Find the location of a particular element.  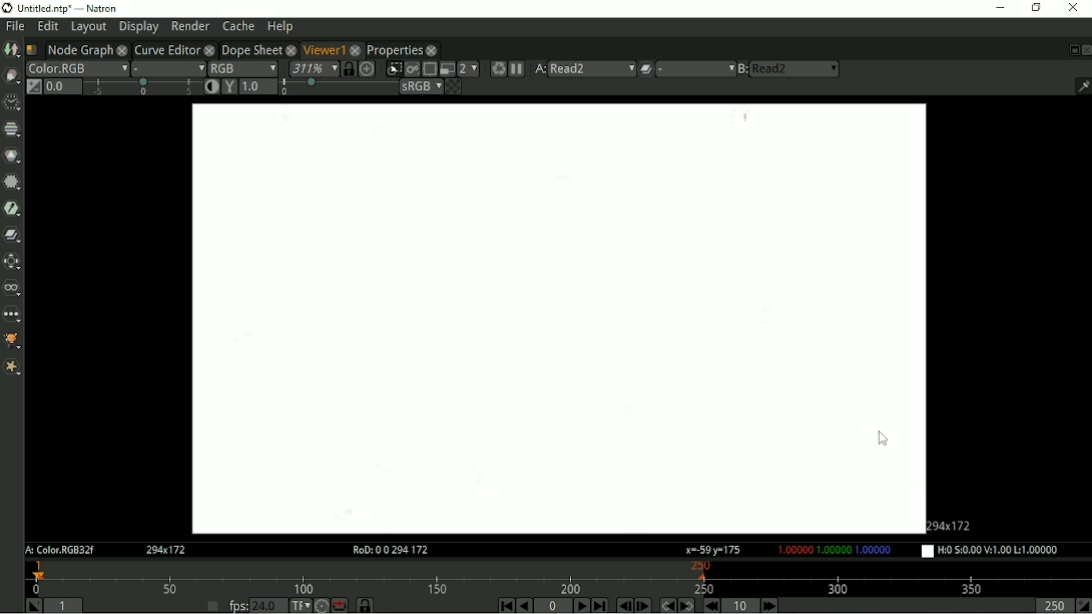

Extra is located at coordinates (12, 368).